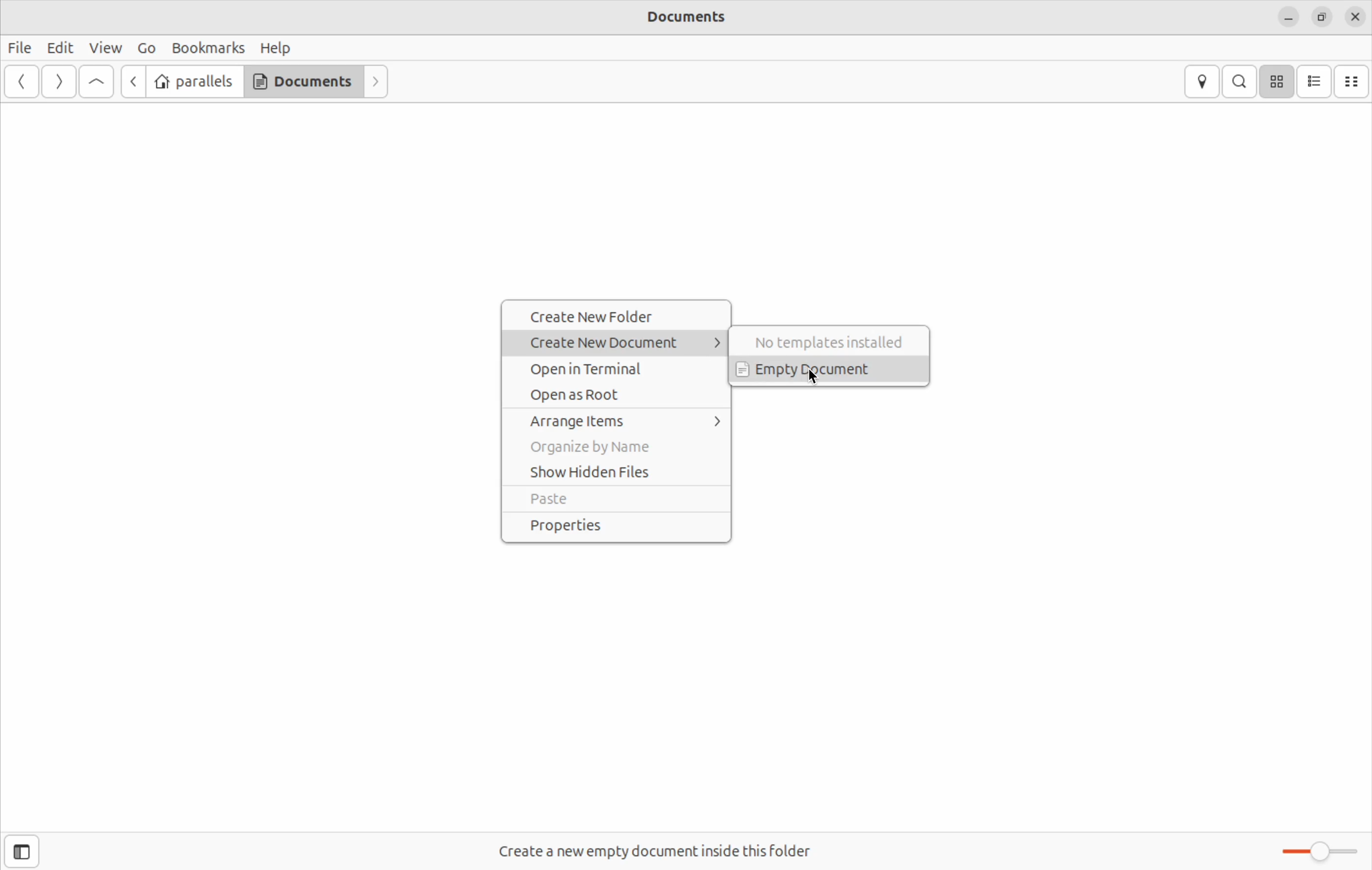 The width and height of the screenshot is (1372, 870). I want to click on create new folder, so click(619, 316).